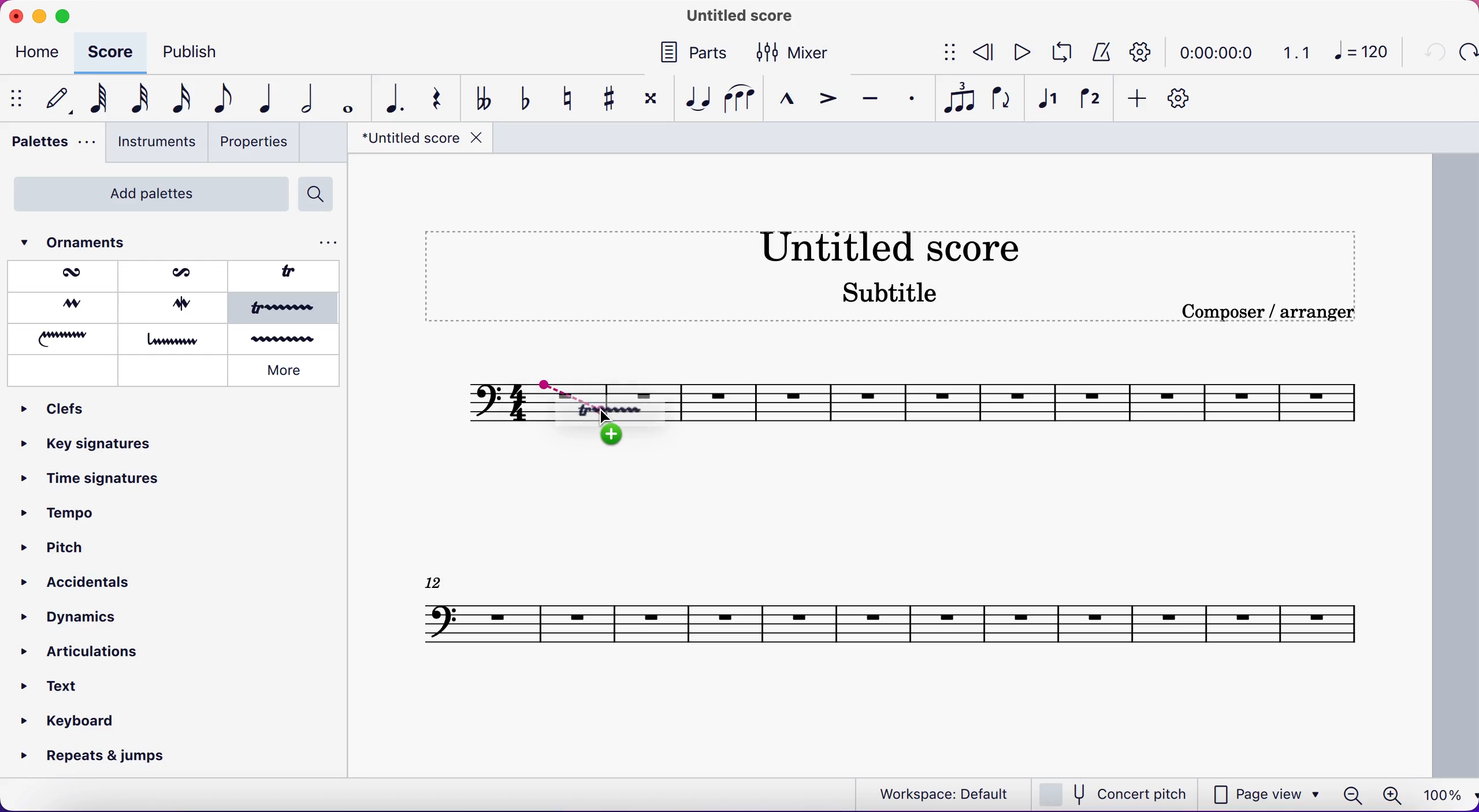  I want to click on add, so click(1138, 100).